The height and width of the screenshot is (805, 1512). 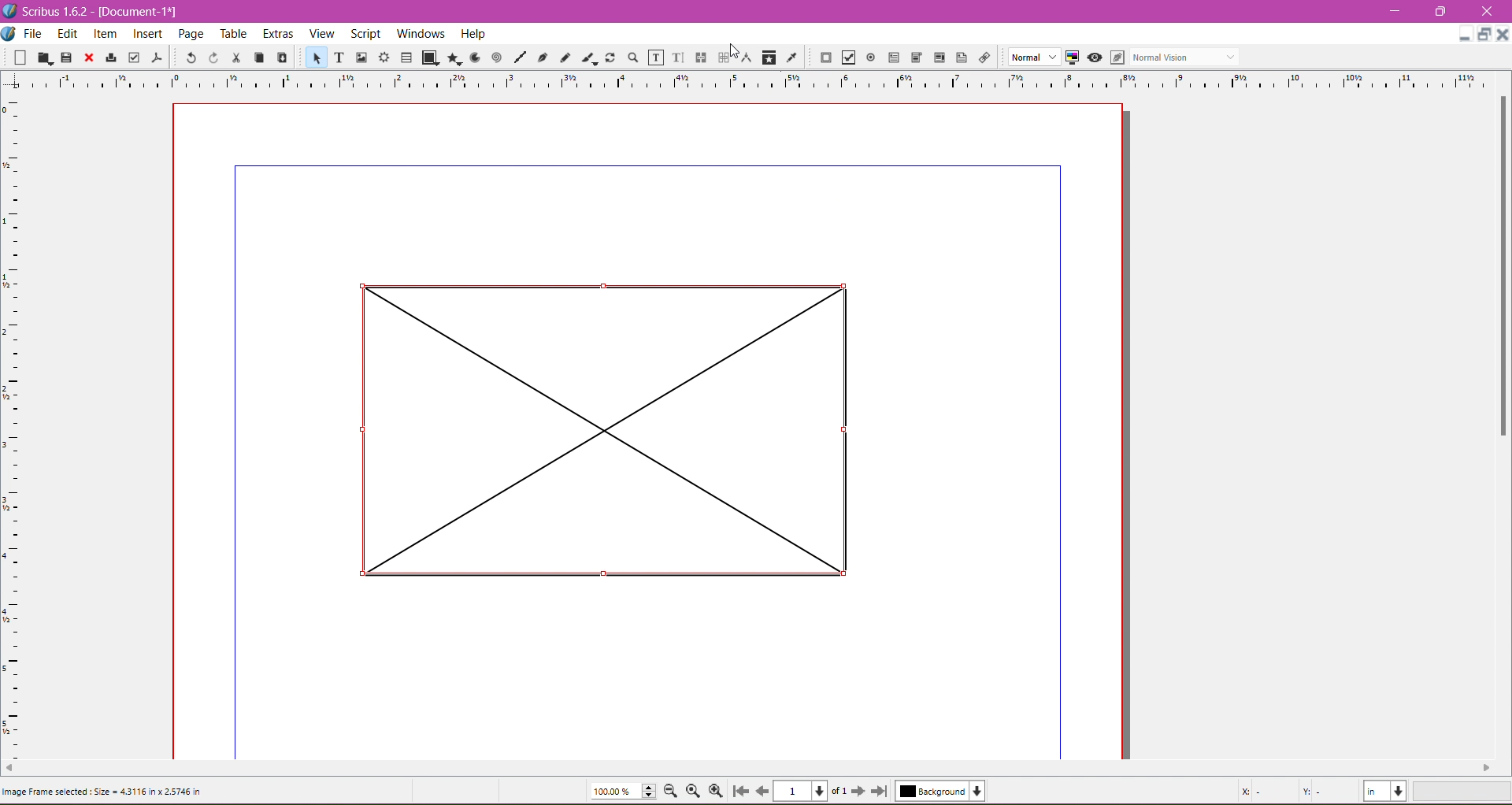 What do you see at coordinates (1503, 35) in the screenshot?
I see `Close Document` at bounding box center [1503, 35].